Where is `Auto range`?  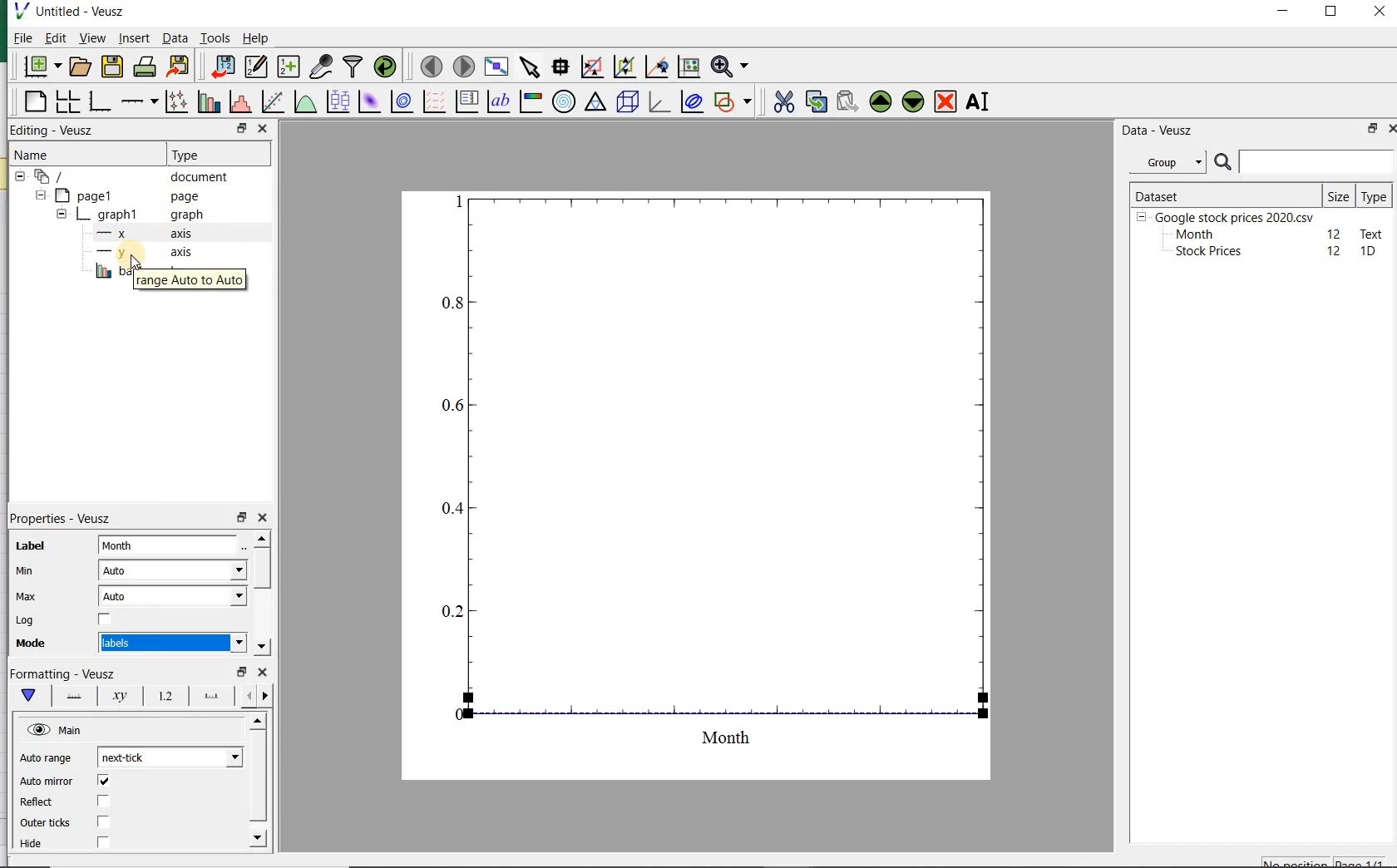
Auto range is located at coordinates (46, 759).